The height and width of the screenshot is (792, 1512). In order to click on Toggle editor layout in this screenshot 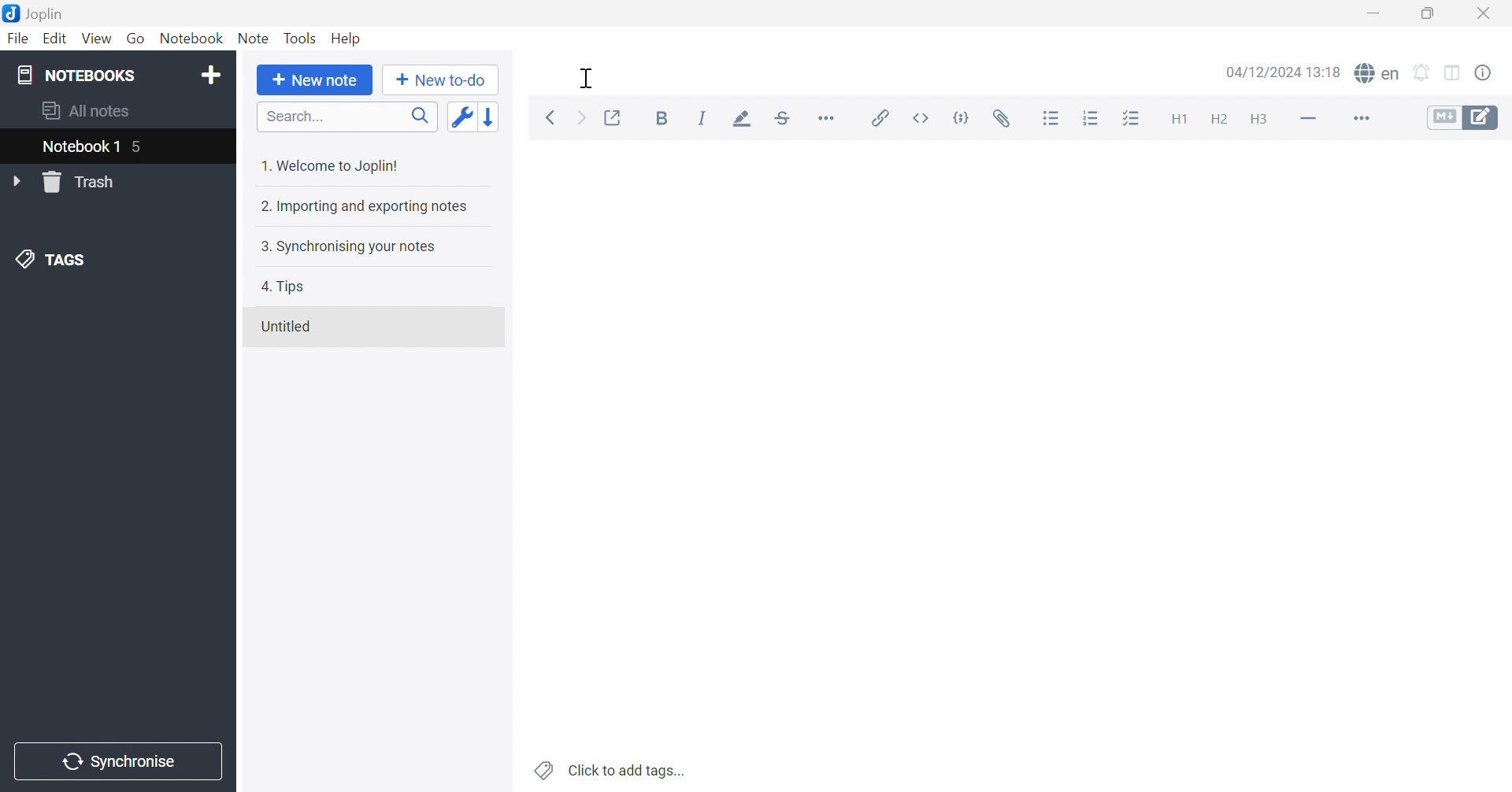, I will do `click(1452, 76)`.